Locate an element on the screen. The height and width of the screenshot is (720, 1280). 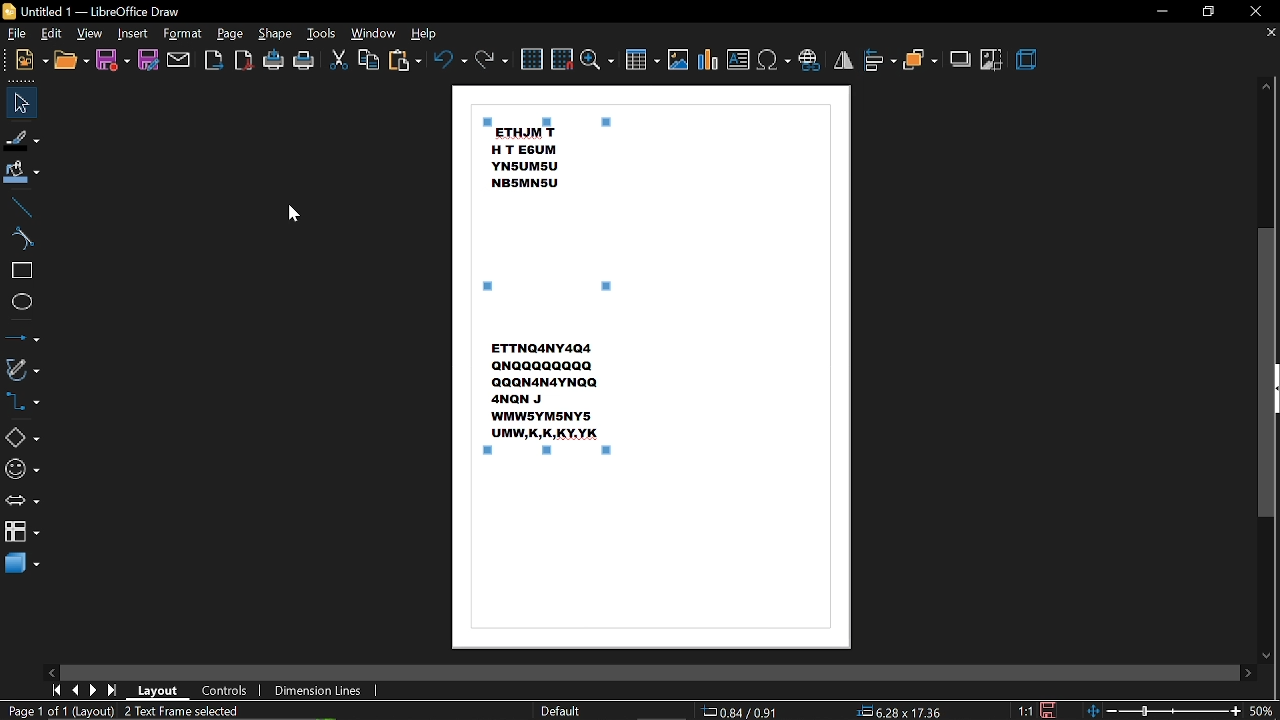
insert chart is located at coordinates (708, 60).